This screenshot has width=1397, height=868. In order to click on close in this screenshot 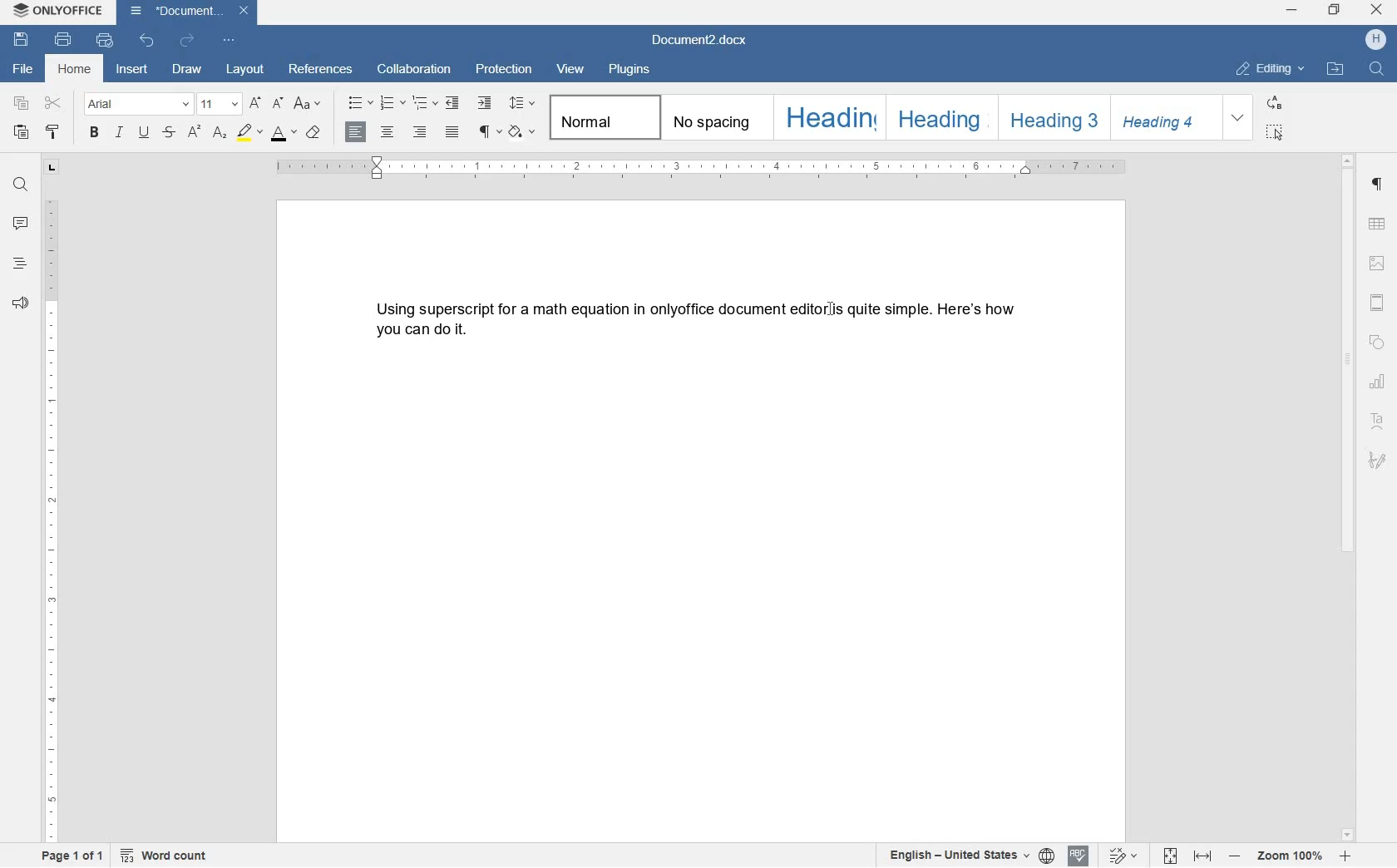, I will do `click(1376, 10)`.